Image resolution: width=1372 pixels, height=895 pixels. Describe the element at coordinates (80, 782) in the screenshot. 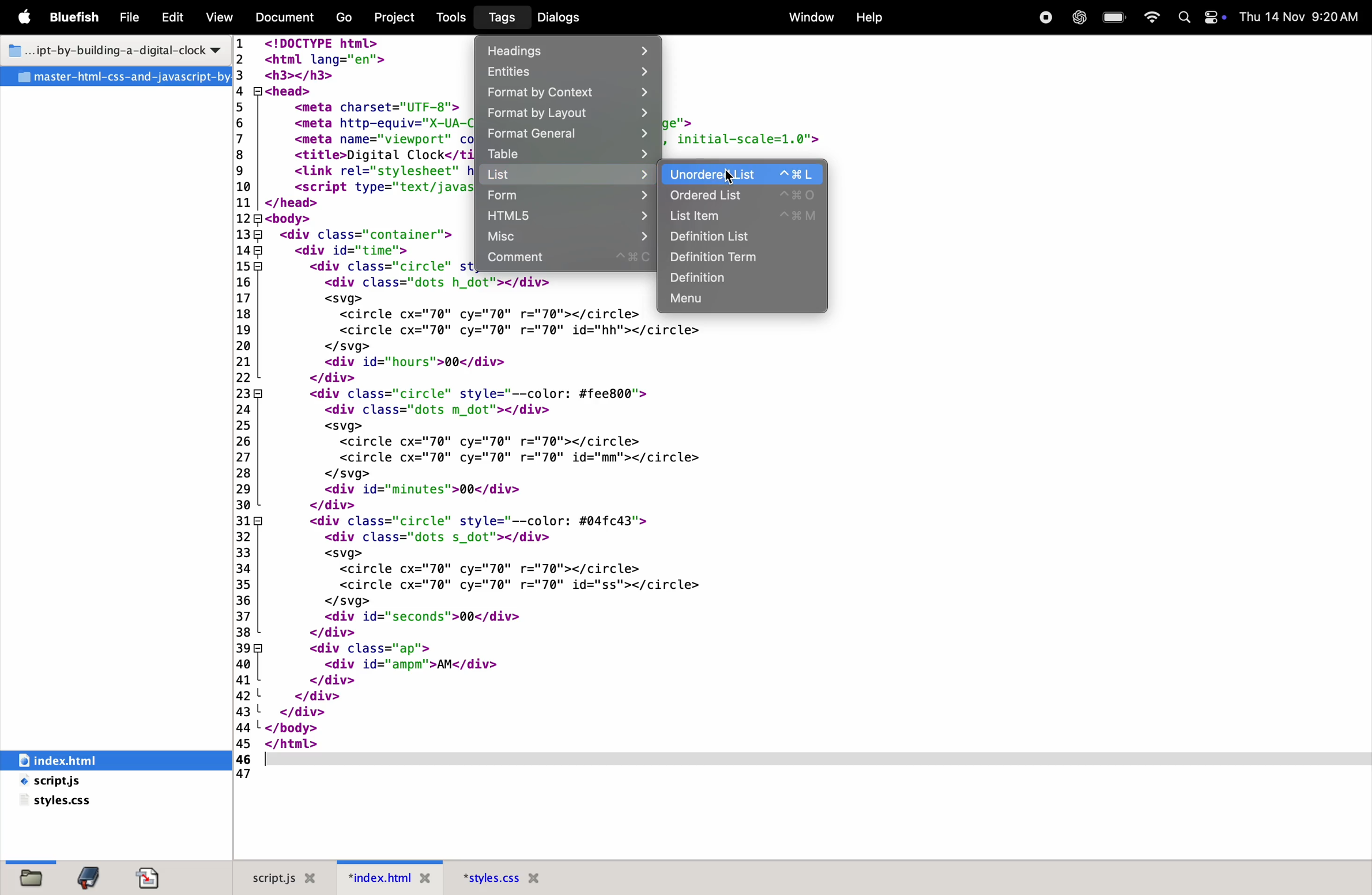

I see `script.js` at that location.